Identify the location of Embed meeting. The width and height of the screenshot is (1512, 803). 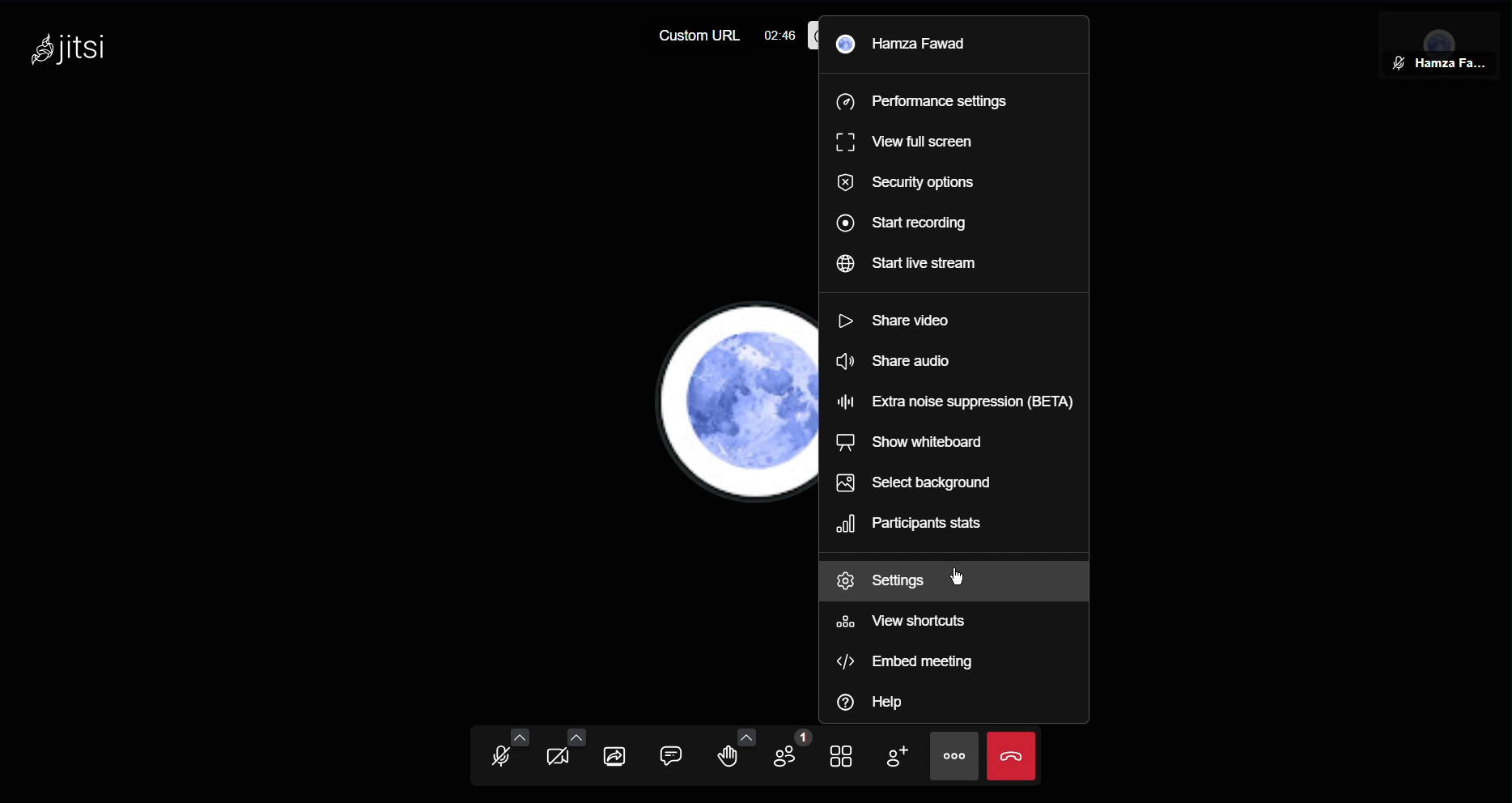
(911, 662).